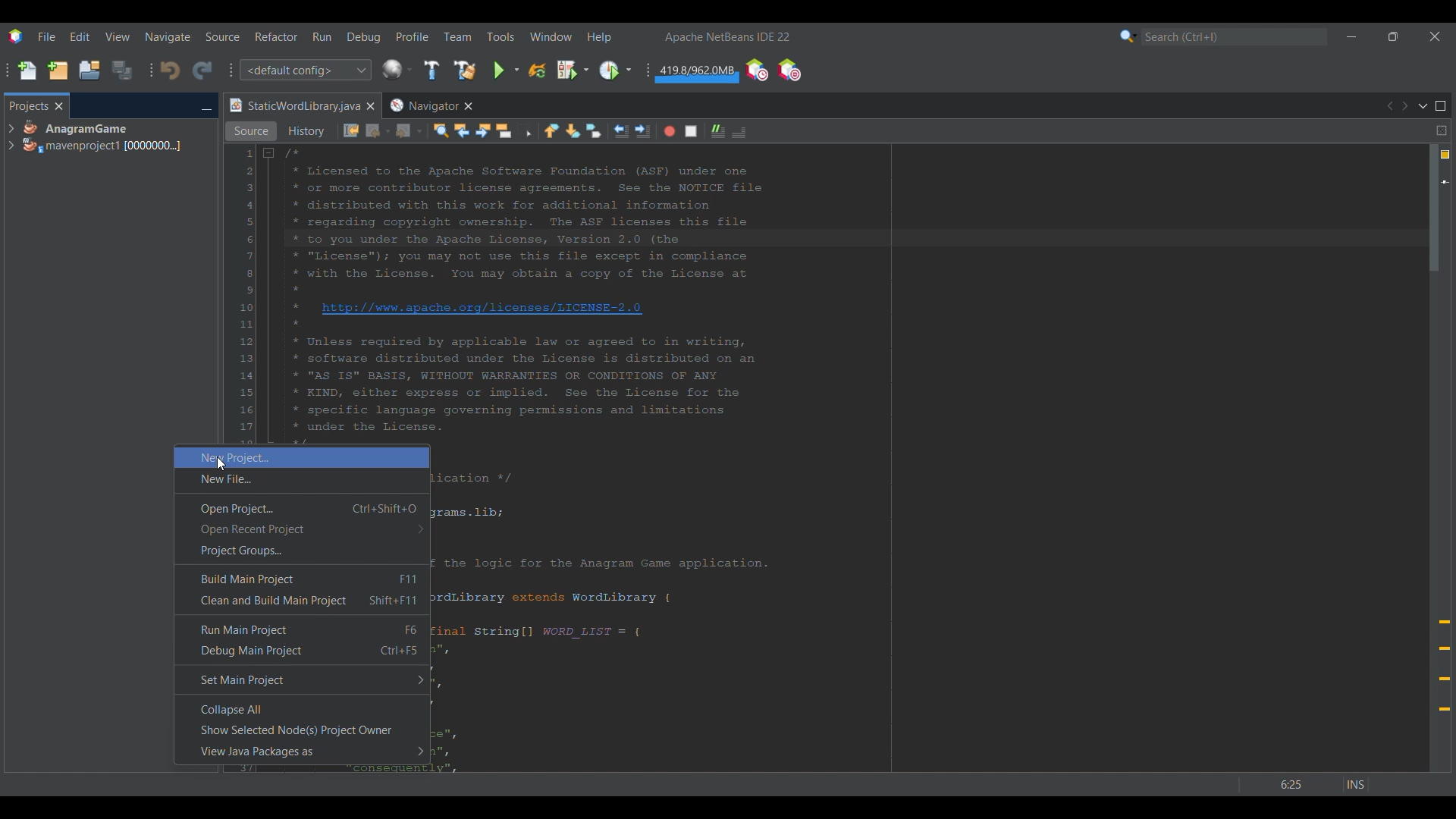 This screenshot has height=819, width=1456. I want to click on Run main project, so click(303, 629).